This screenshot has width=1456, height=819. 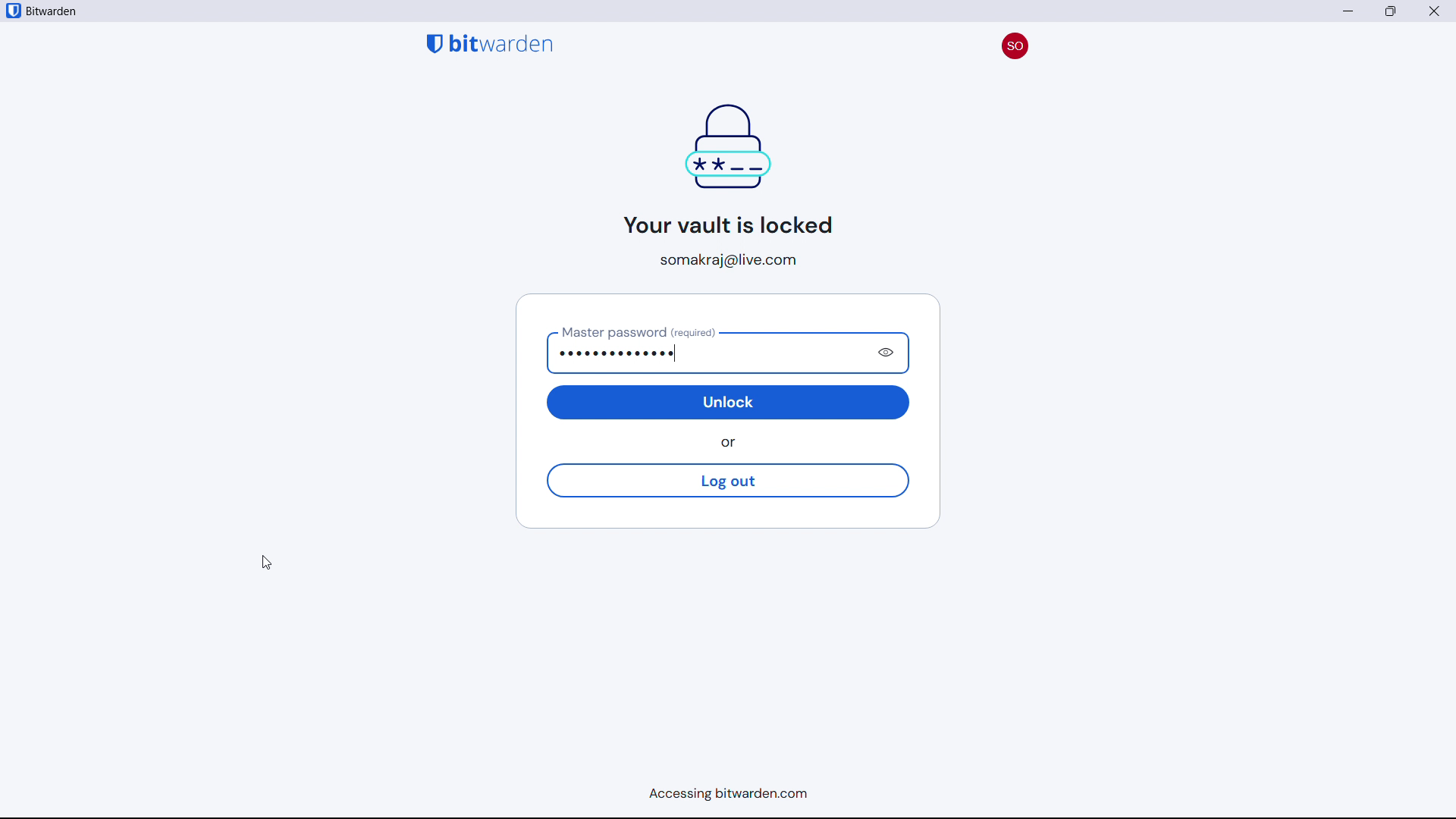 I want to click on Email id of the account somakraj@live .com, so click(x=734, y=260).